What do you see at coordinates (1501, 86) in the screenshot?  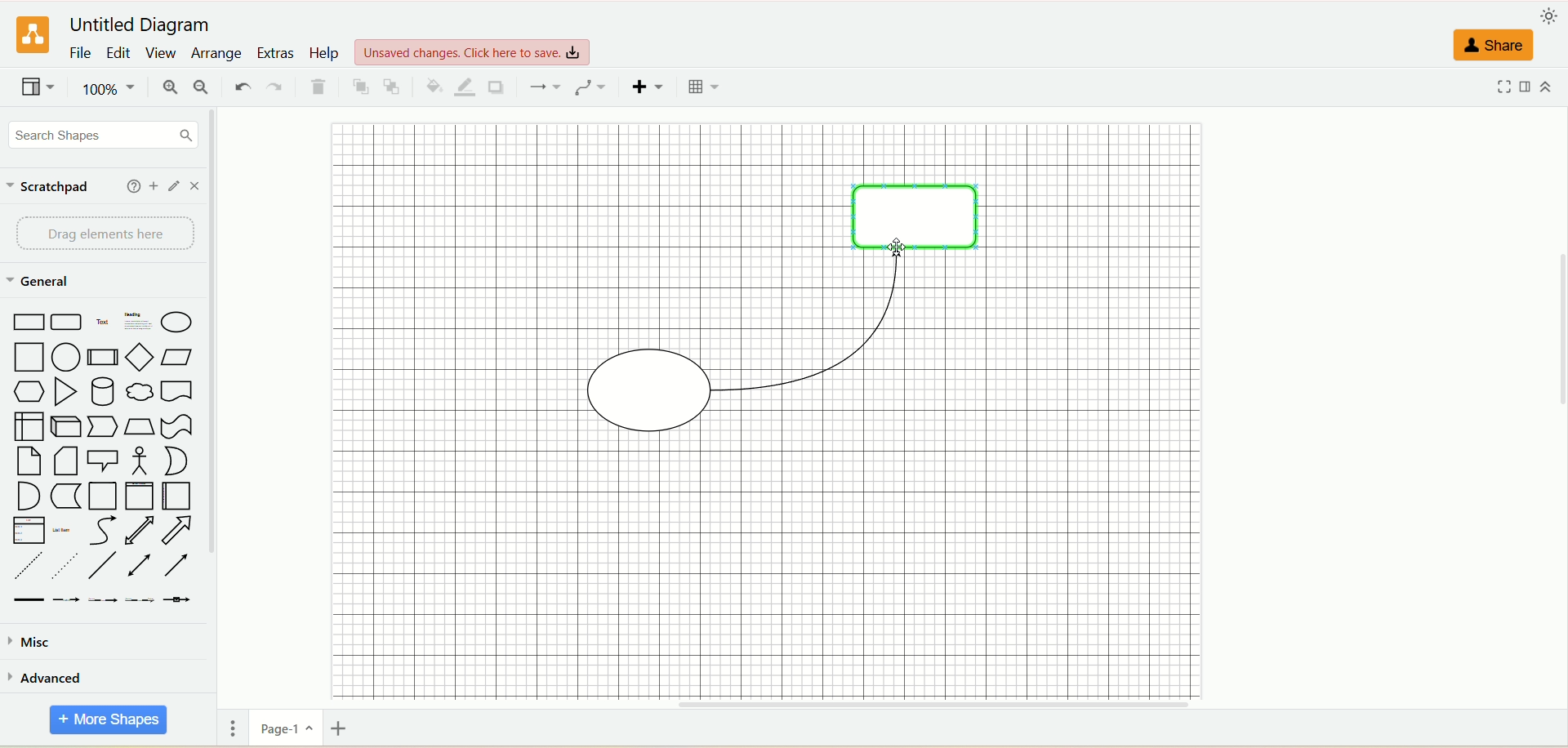 I see `fullscreen` at bounding box center [1501, 86].